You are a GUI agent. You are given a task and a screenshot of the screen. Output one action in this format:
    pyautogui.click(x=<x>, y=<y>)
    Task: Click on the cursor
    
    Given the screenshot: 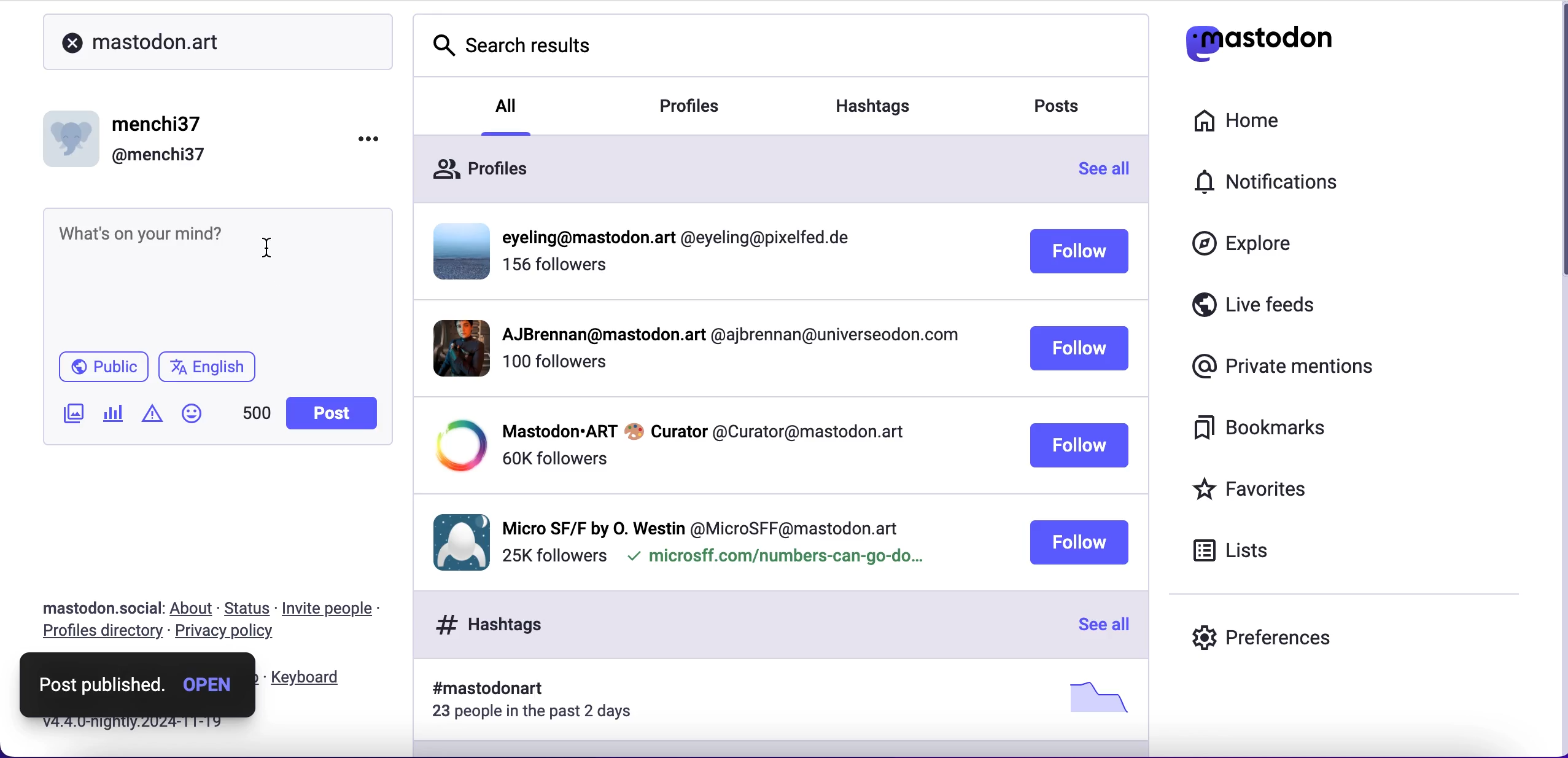 What is the action you would take?
    pyautogui.click(x=266, y=248)
    